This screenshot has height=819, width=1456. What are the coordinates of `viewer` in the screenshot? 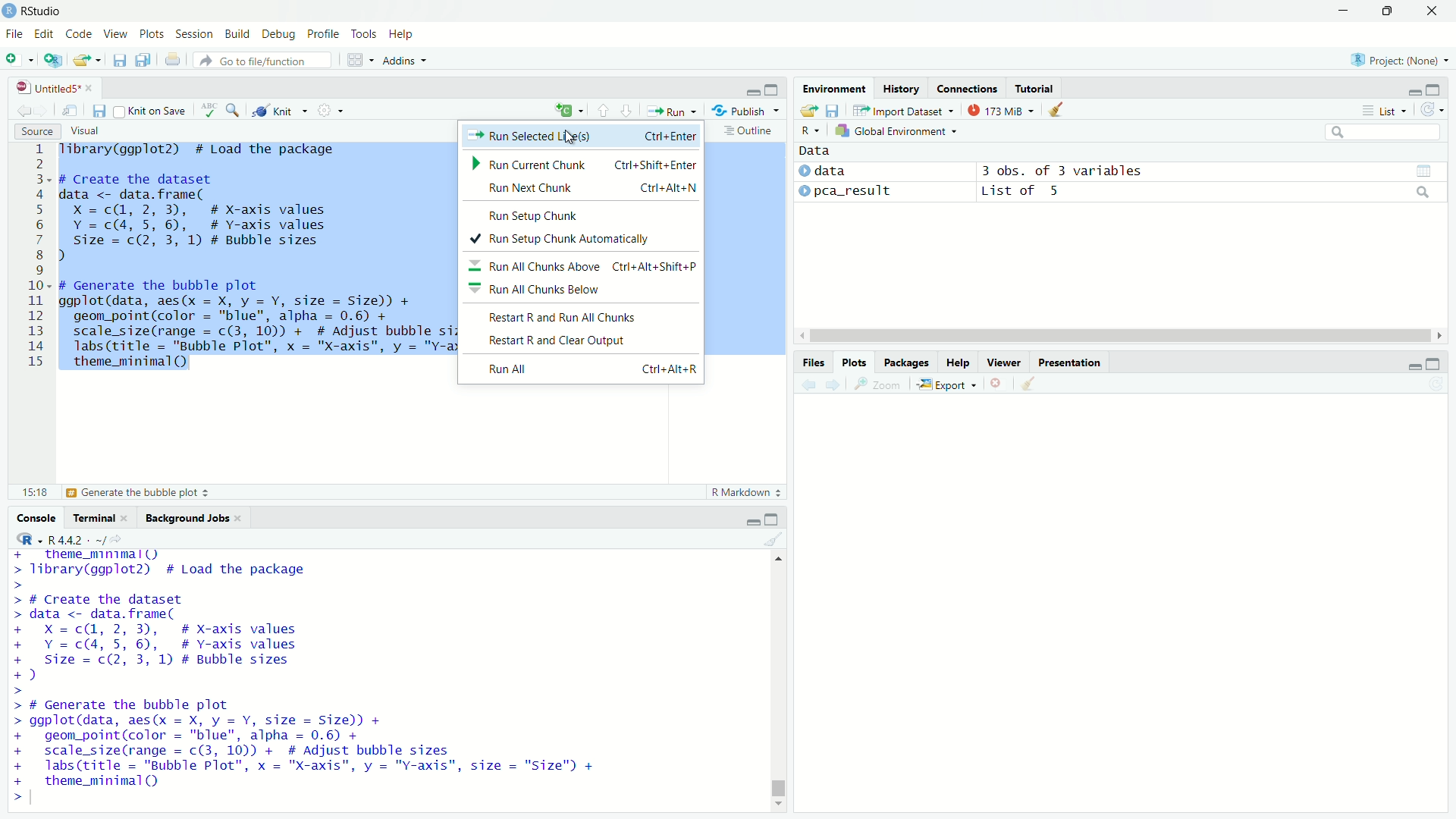 It's located at (1004, 362).